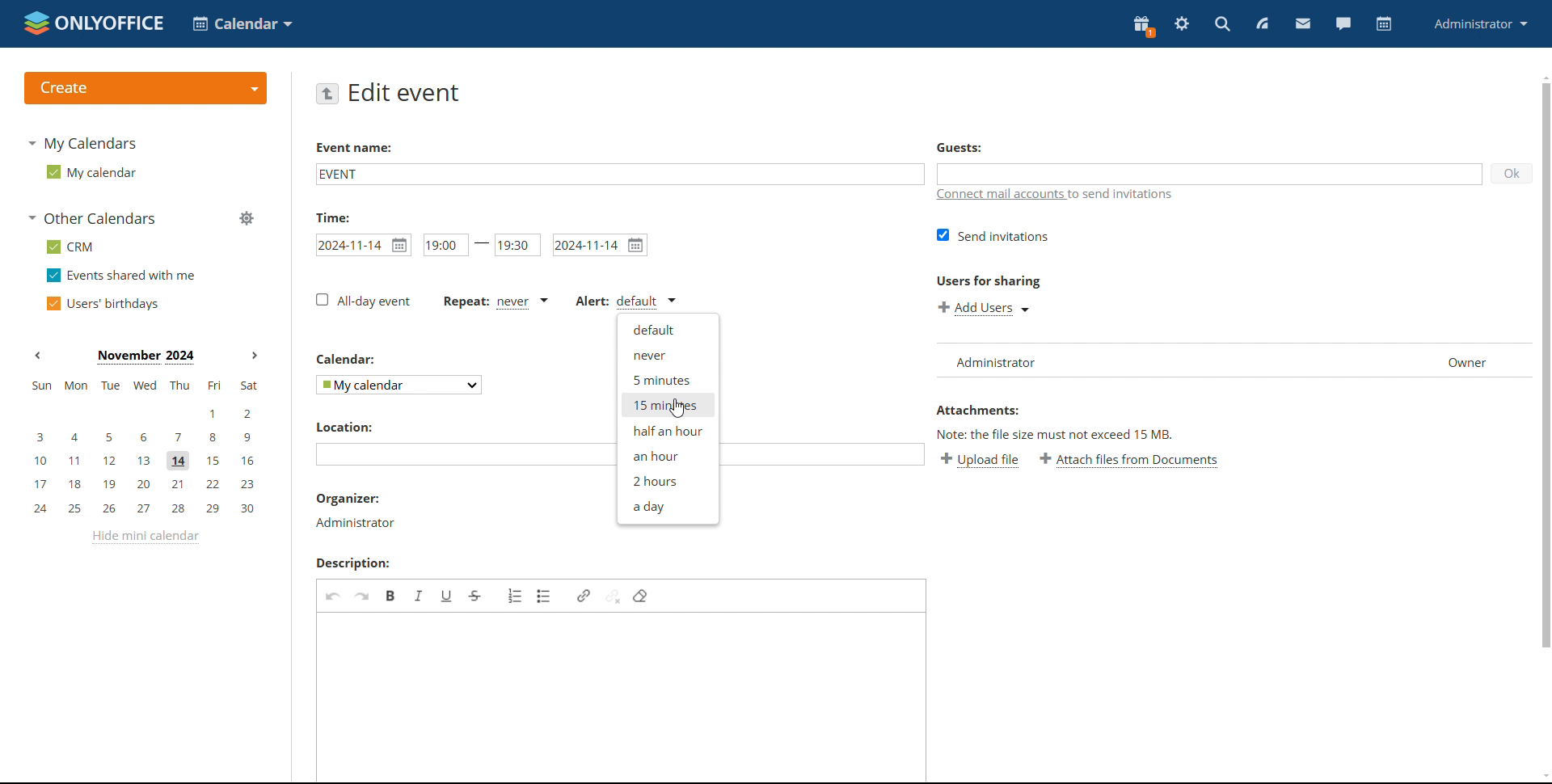 The width and height of the screenshot is (1552, 784). I want to click on go back, so click(328, 93).